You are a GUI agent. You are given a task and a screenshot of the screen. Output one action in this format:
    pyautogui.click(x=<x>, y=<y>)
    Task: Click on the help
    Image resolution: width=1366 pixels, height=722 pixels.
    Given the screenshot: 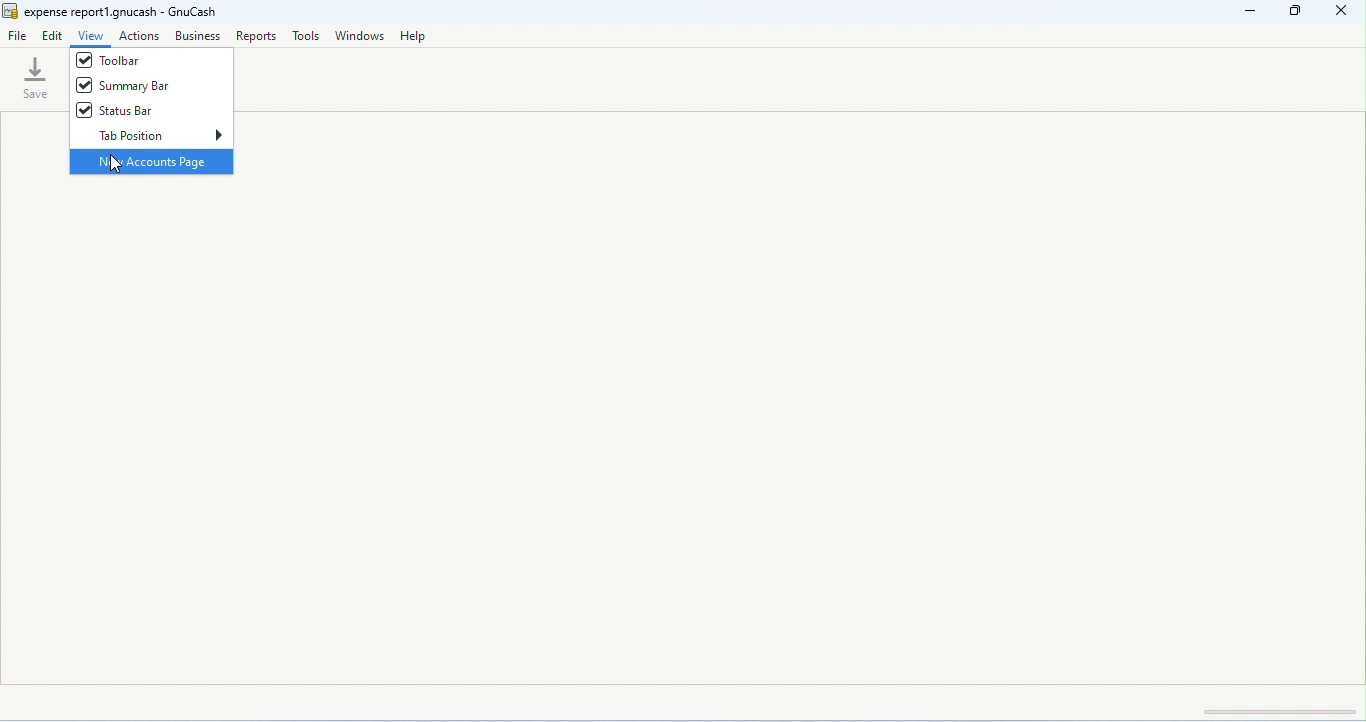 What is the action you would take?
    pyautogui.click(x=414, y=37)
    